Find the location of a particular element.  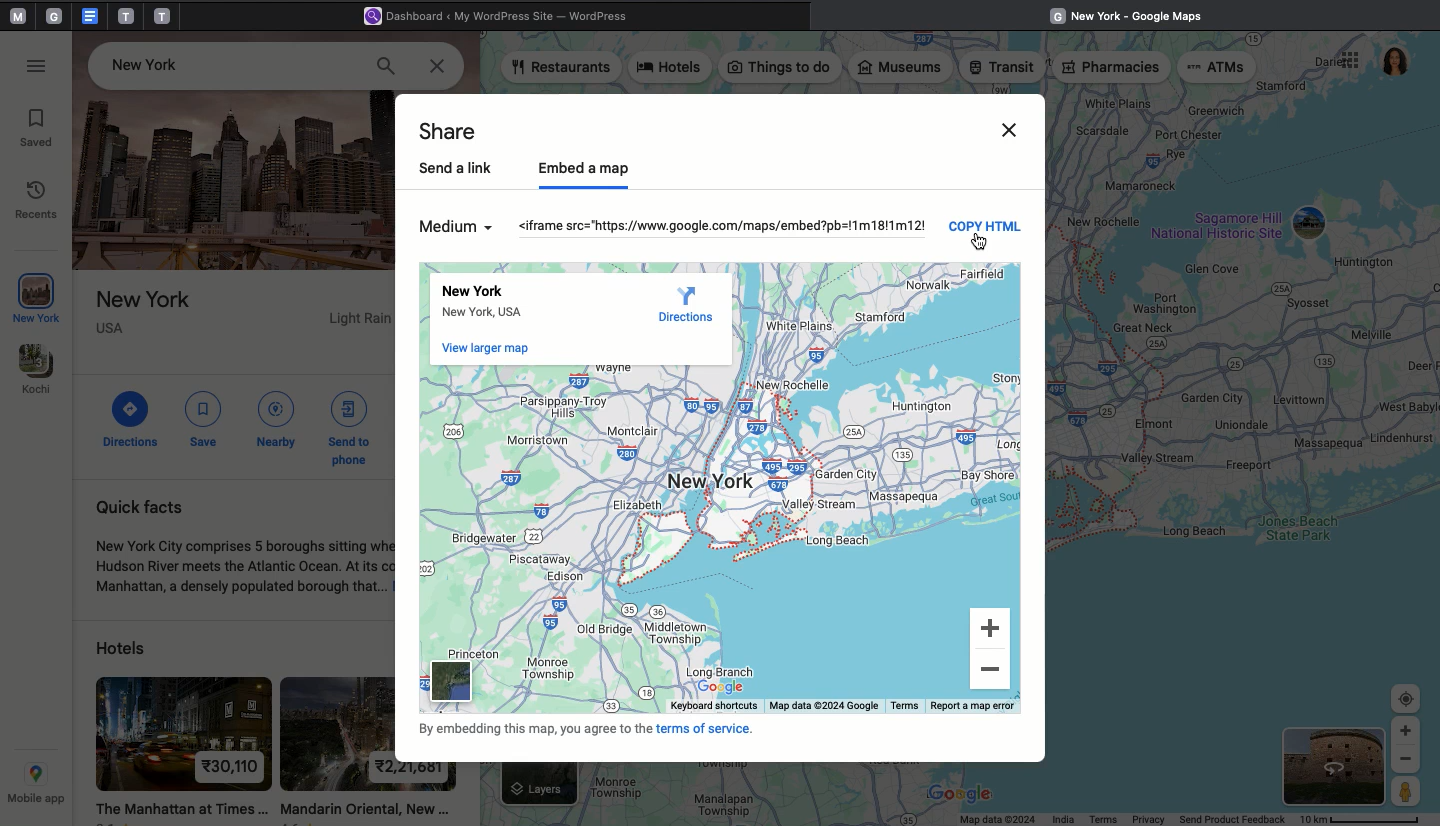

Mobile app is located at coordinates (35, 785).